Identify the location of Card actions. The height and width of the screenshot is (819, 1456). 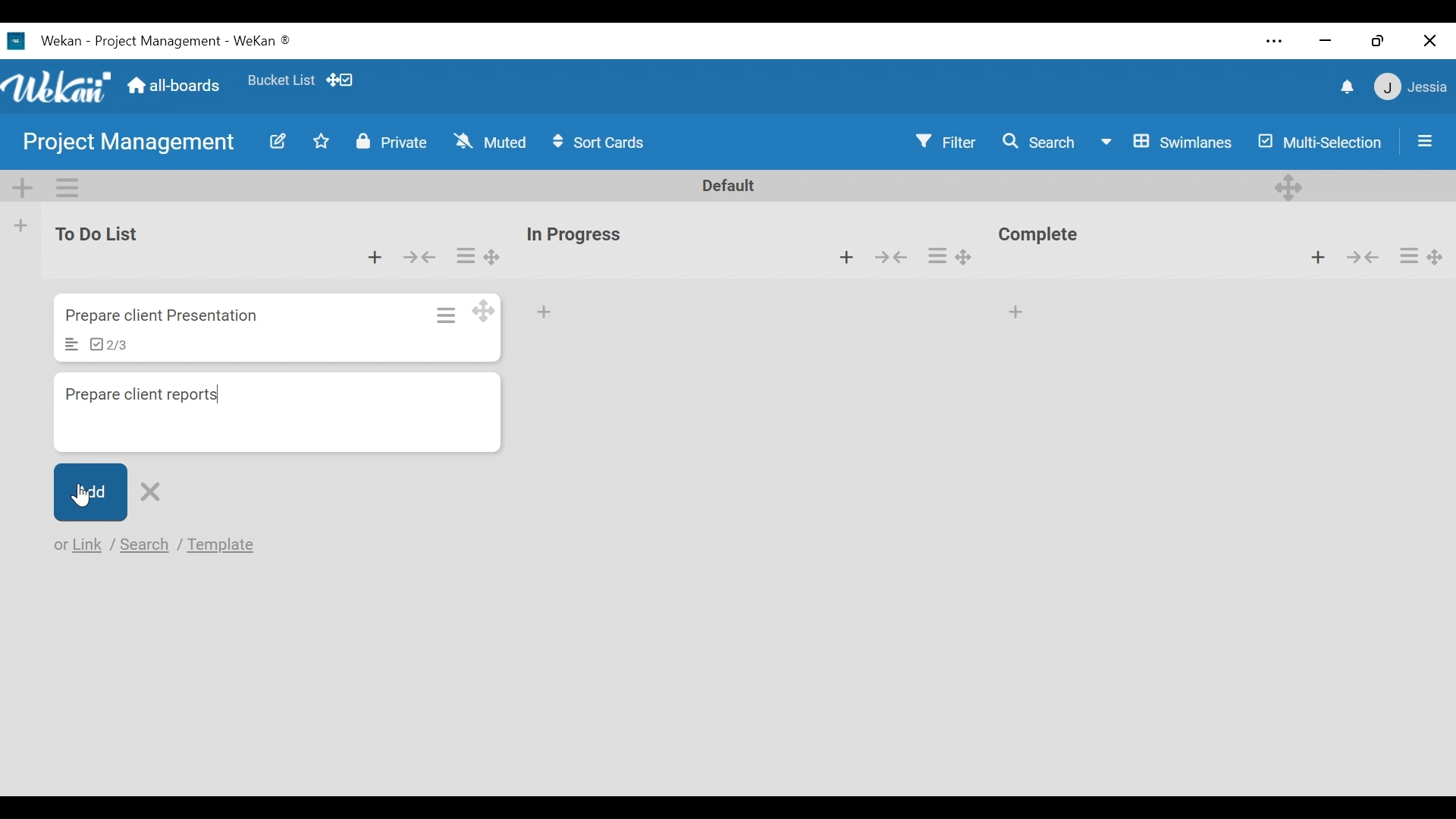
(444, 313).